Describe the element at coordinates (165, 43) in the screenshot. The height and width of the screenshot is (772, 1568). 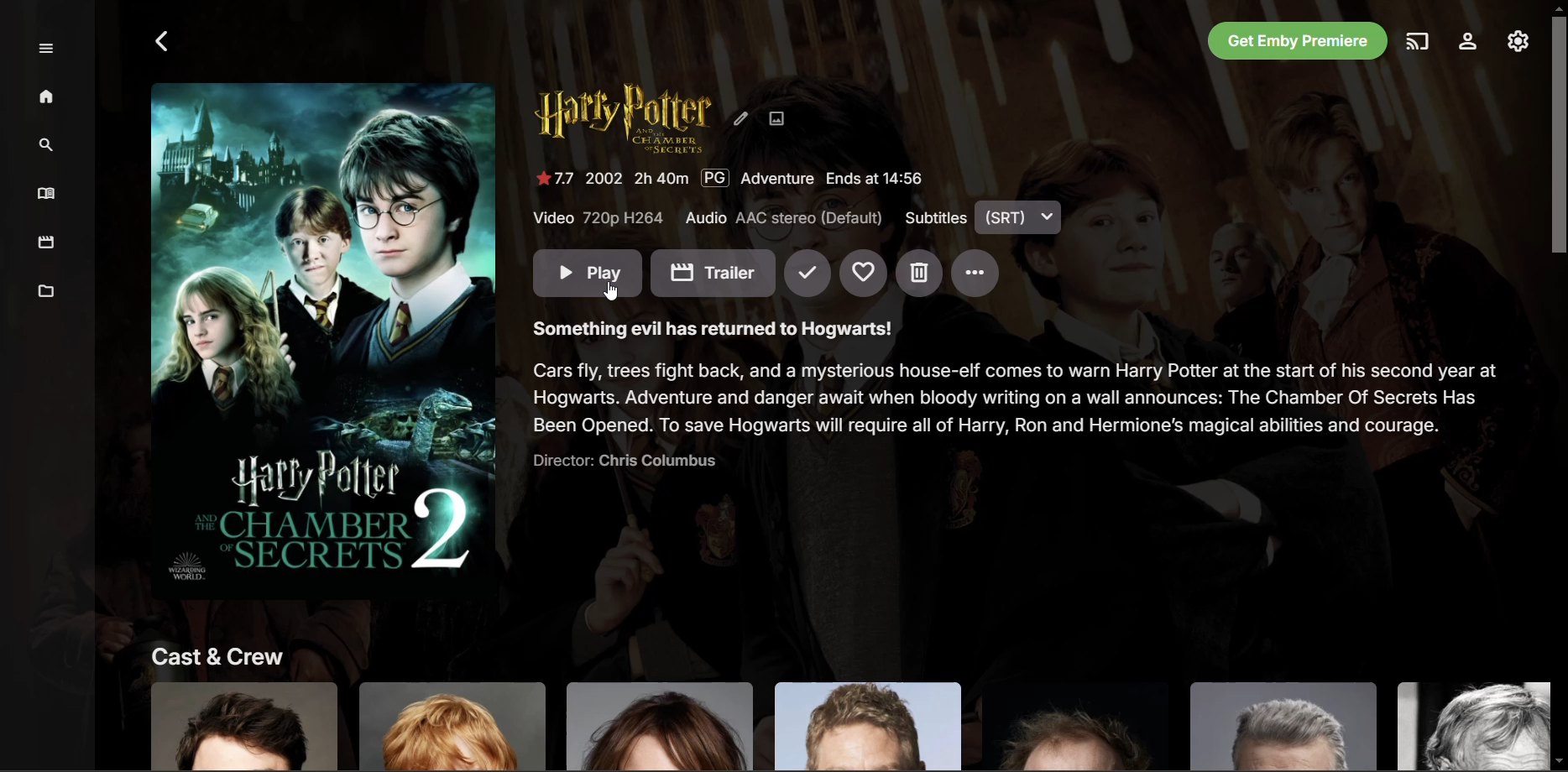
I see `Back` at that location.